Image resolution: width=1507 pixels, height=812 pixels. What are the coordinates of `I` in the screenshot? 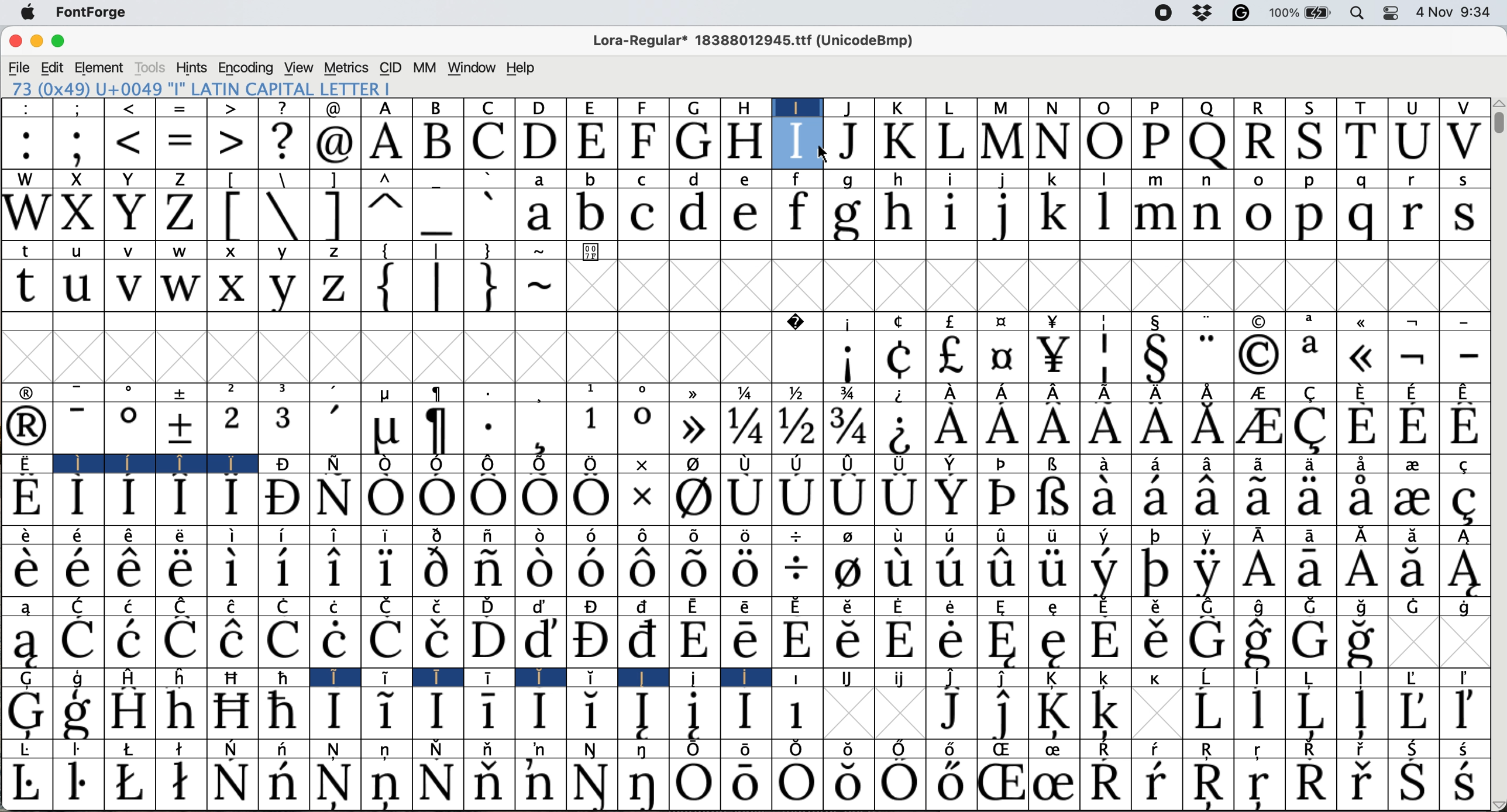 It's located at (797, 106).